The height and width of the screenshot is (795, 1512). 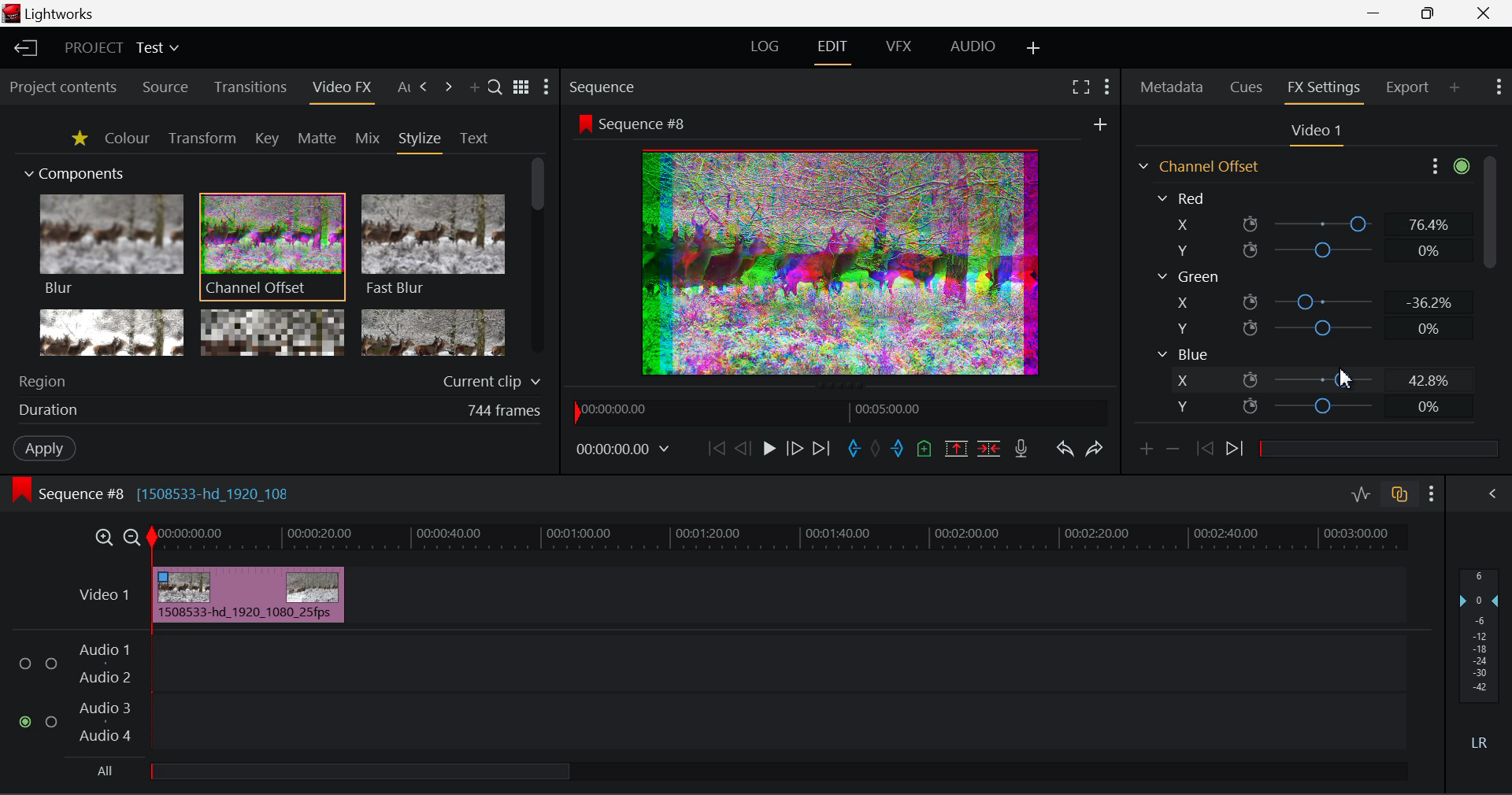 I want to click on Video Layer, so click(x=106, y=598).